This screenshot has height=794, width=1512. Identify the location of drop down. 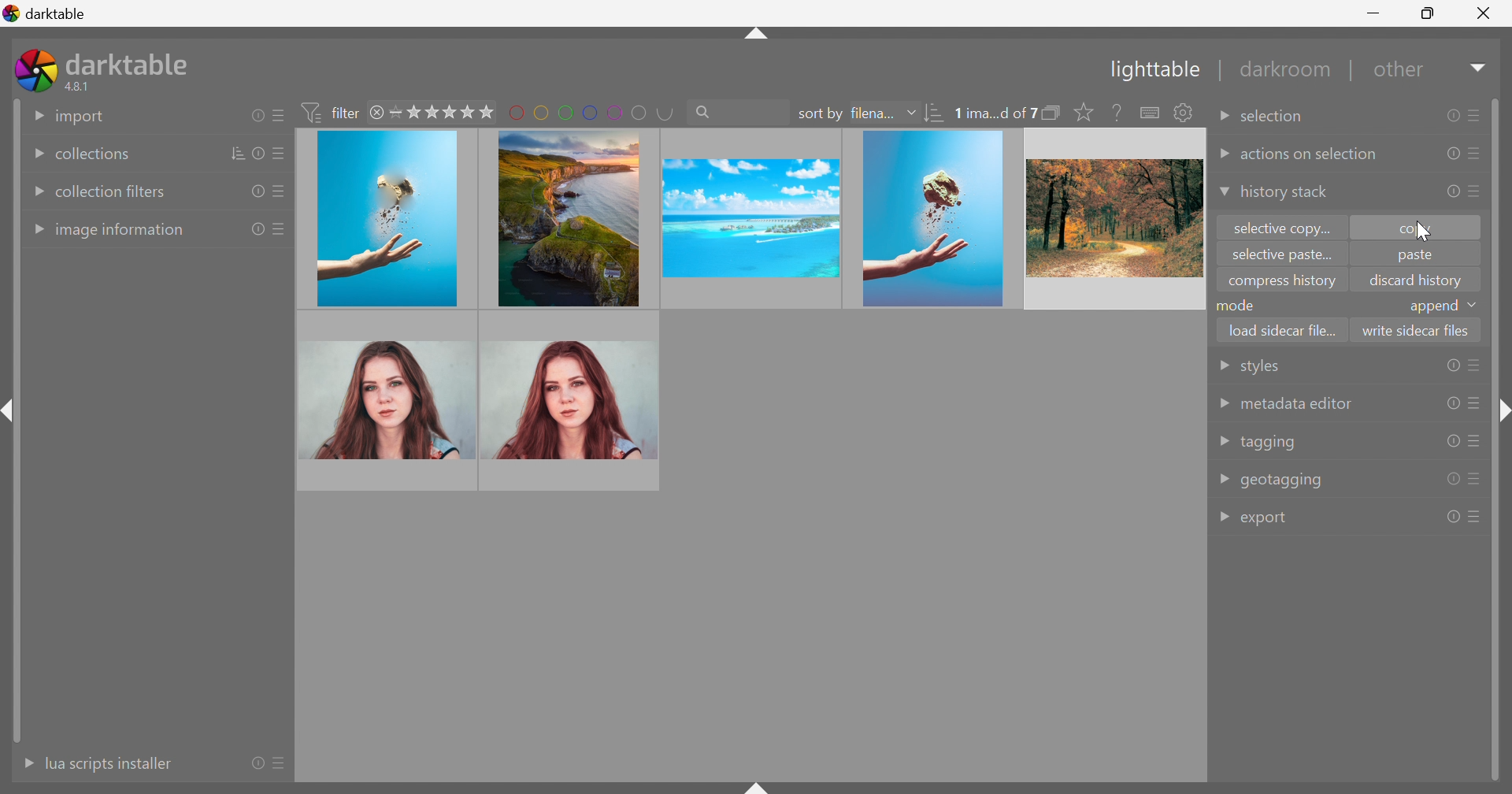
(1476, 305).